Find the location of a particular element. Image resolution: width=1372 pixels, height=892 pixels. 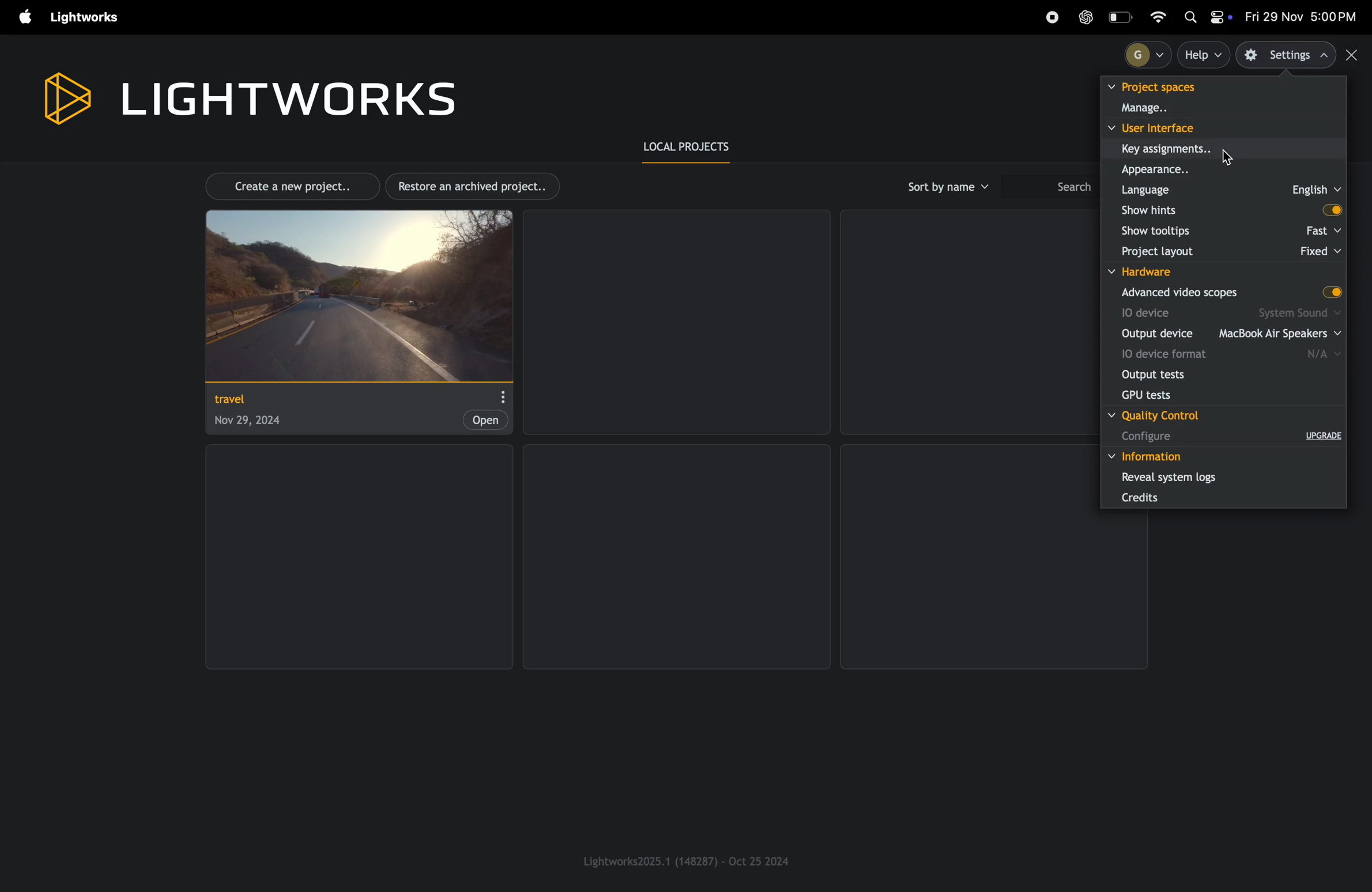

information is located at coordinates (1220, 454).